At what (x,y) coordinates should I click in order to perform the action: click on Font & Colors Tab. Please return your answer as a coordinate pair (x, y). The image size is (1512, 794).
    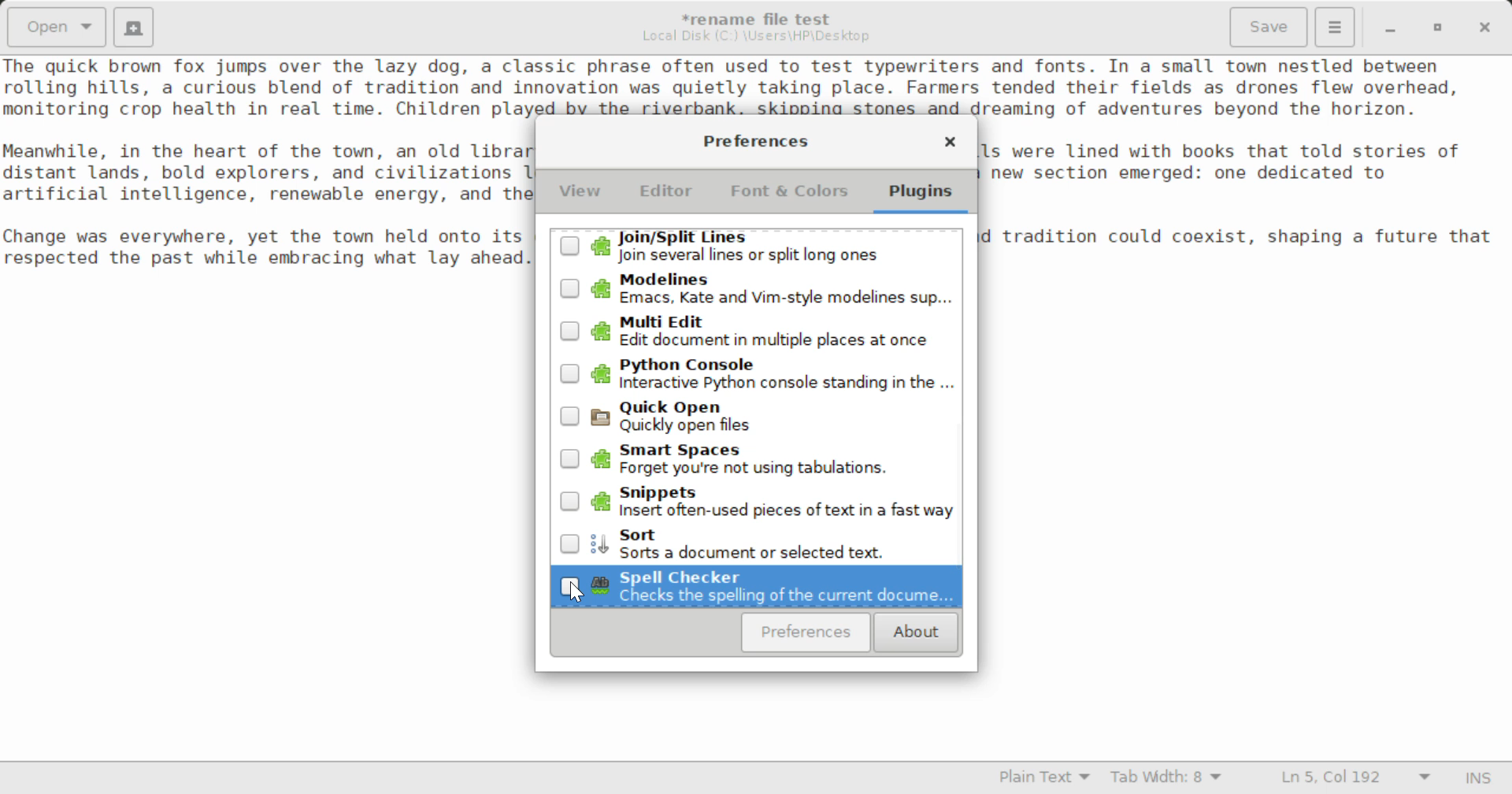
    Looking at the image, I should click on (789, 197).